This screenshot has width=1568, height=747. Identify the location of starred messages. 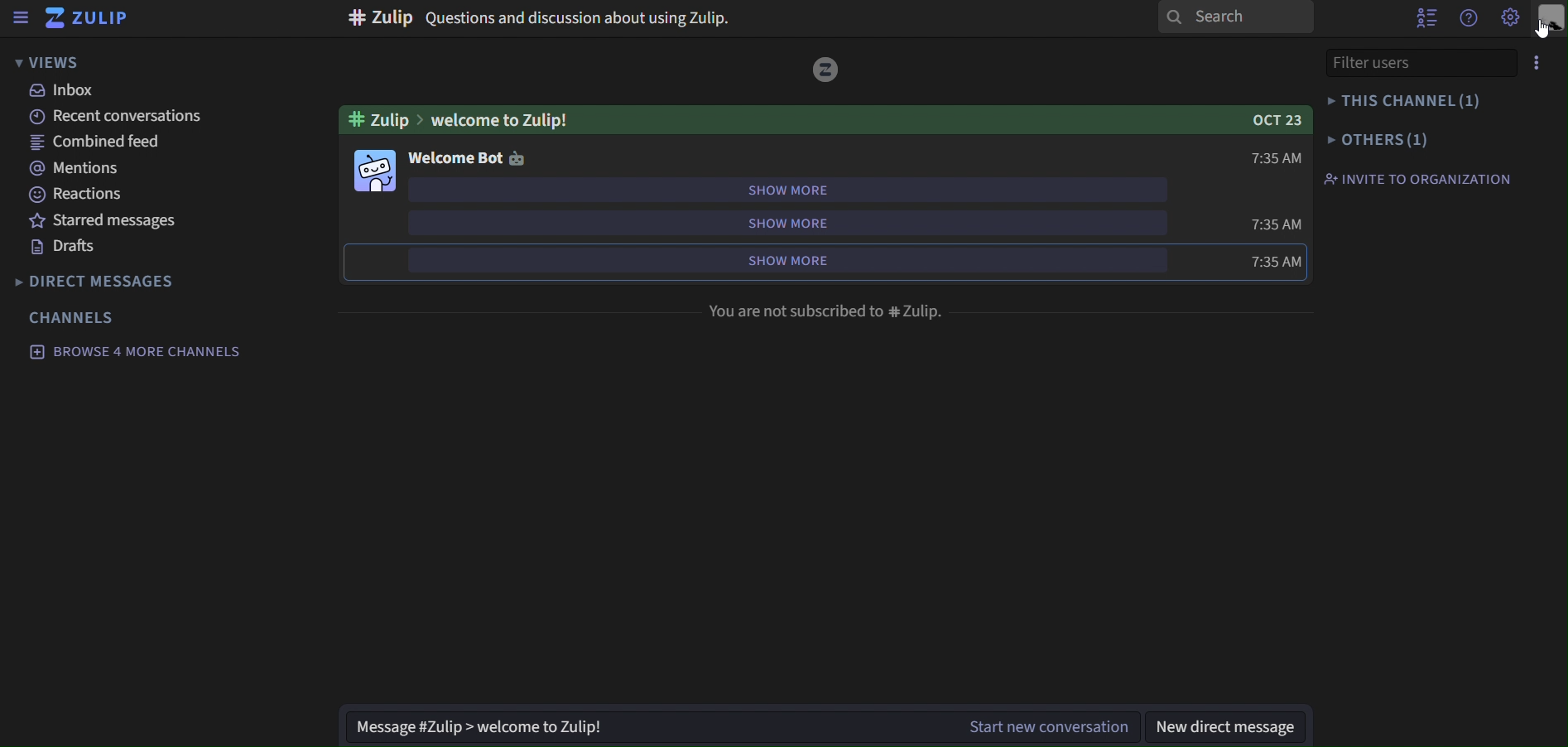
(103, 221).